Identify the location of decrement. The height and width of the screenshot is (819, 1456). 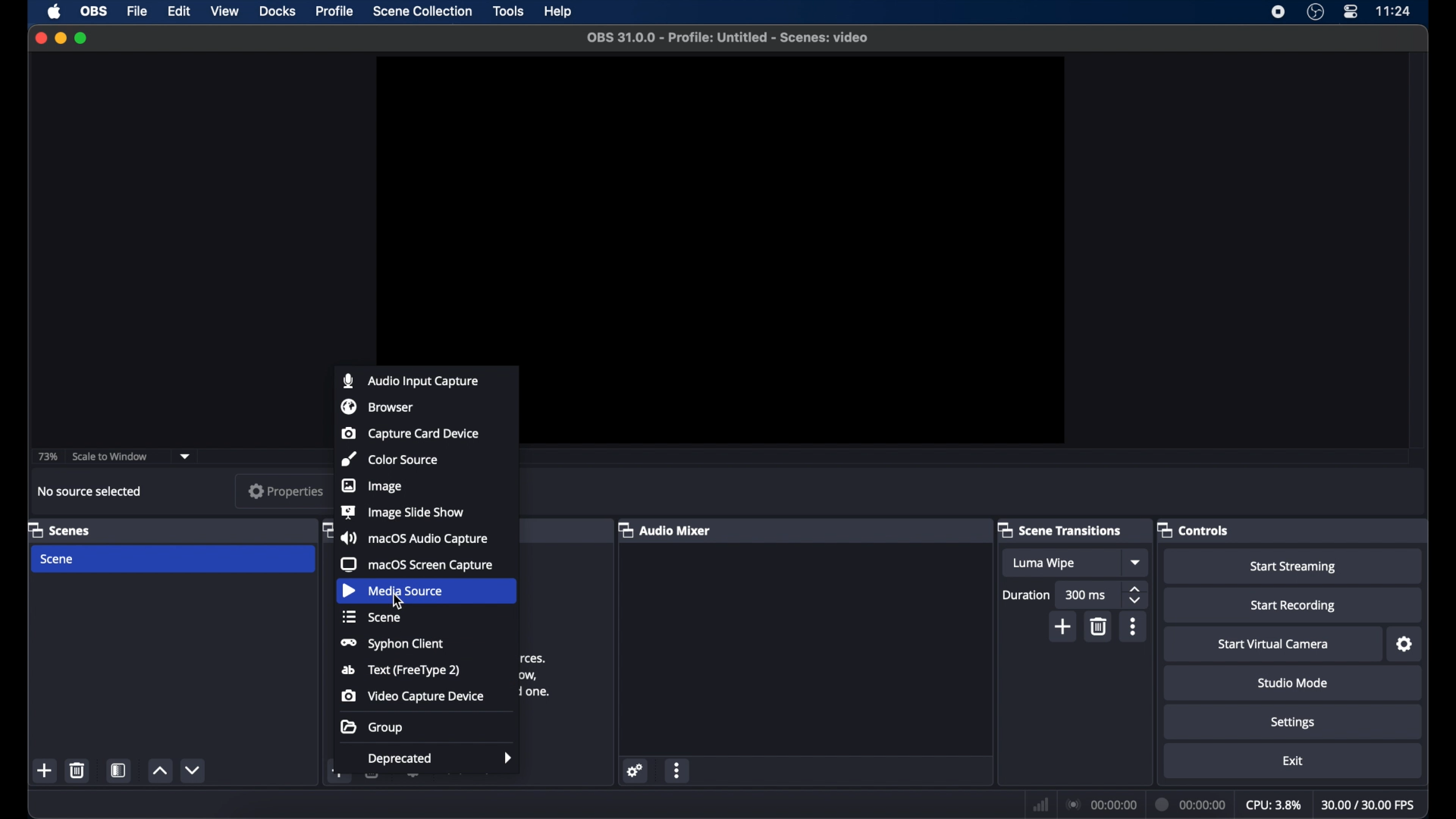
(194, 770).